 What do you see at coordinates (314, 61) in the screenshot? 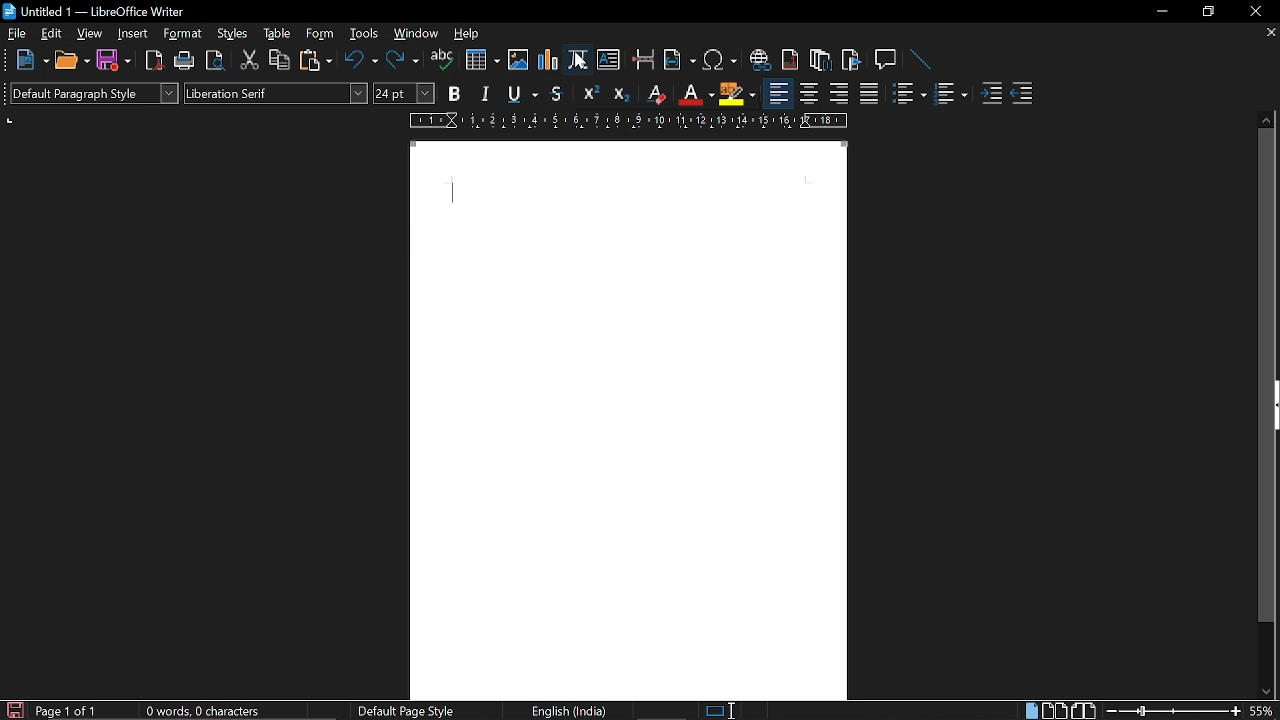
I see `paste` at bounding box center [314, 61].